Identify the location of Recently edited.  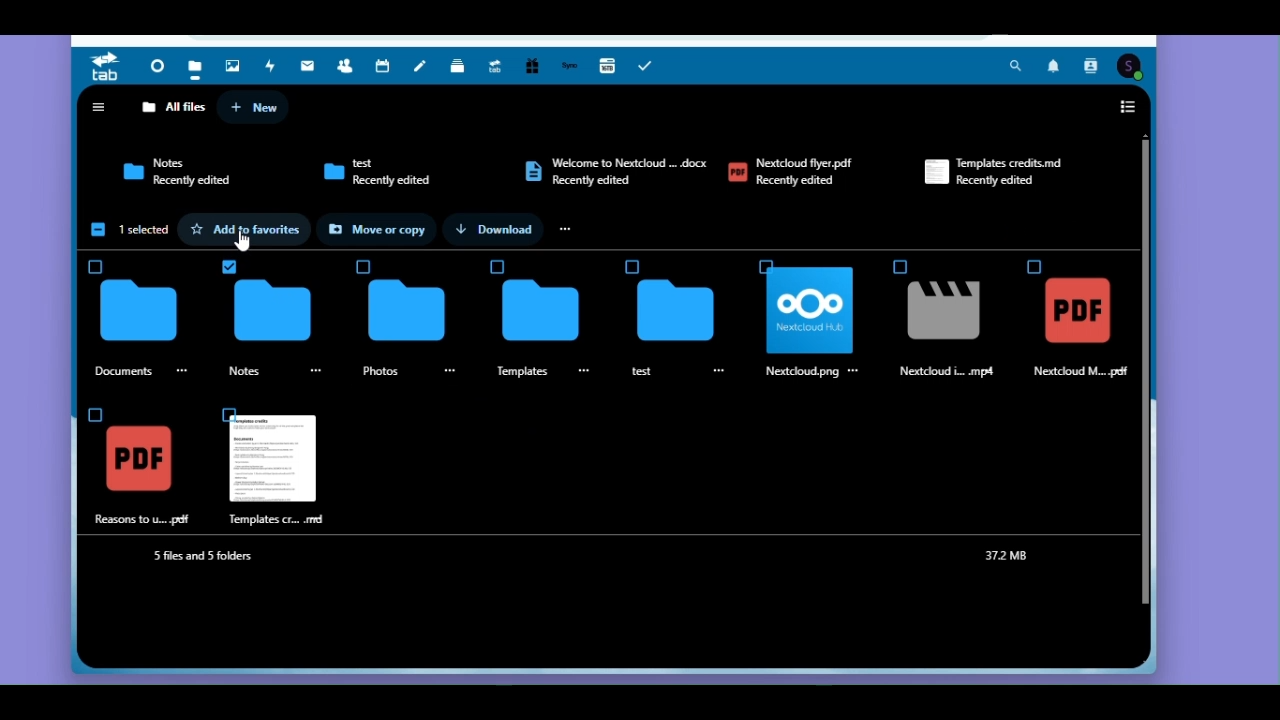
(803, 183).